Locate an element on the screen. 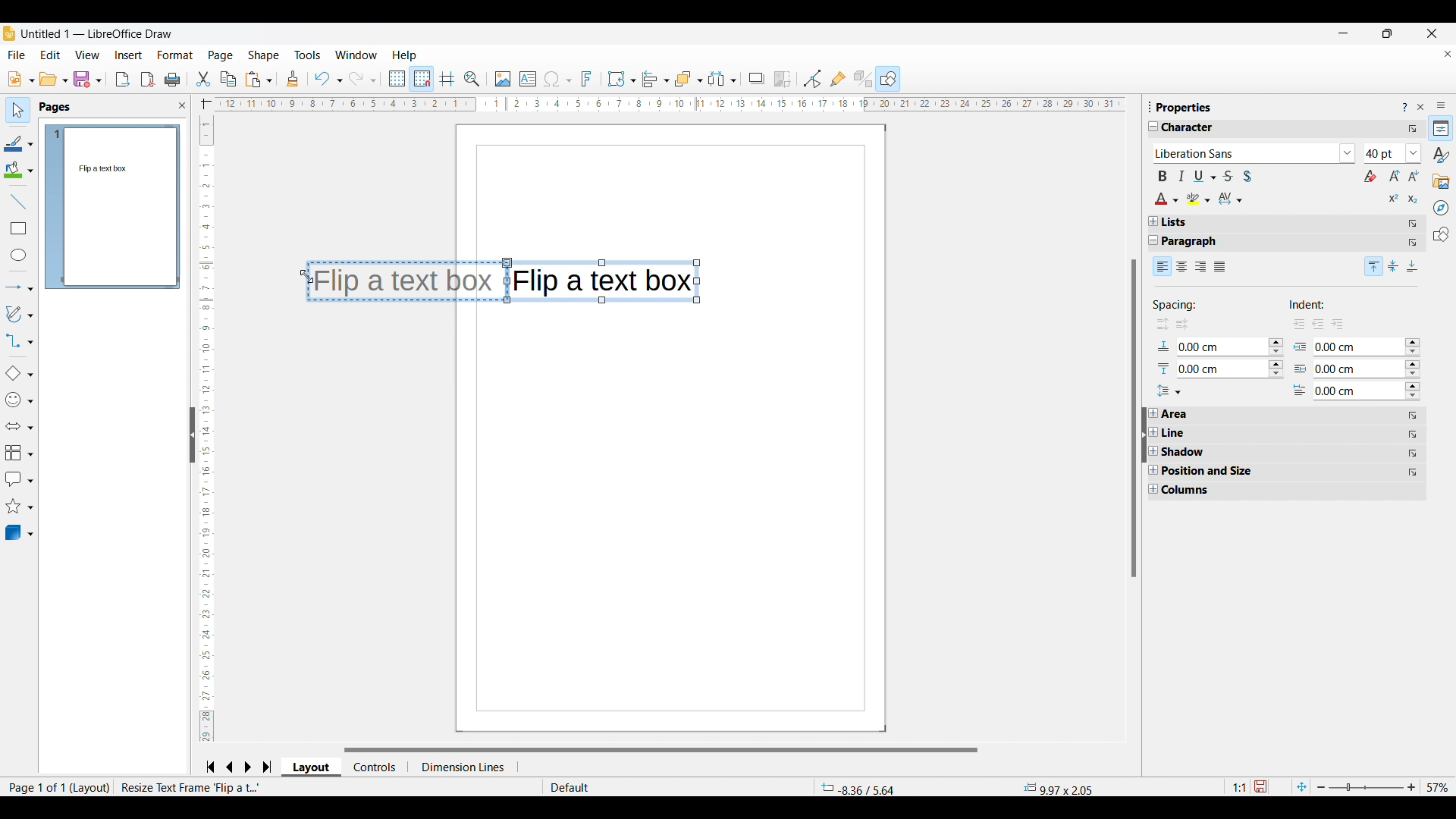  Connector options is located at coordinates (19, 340).